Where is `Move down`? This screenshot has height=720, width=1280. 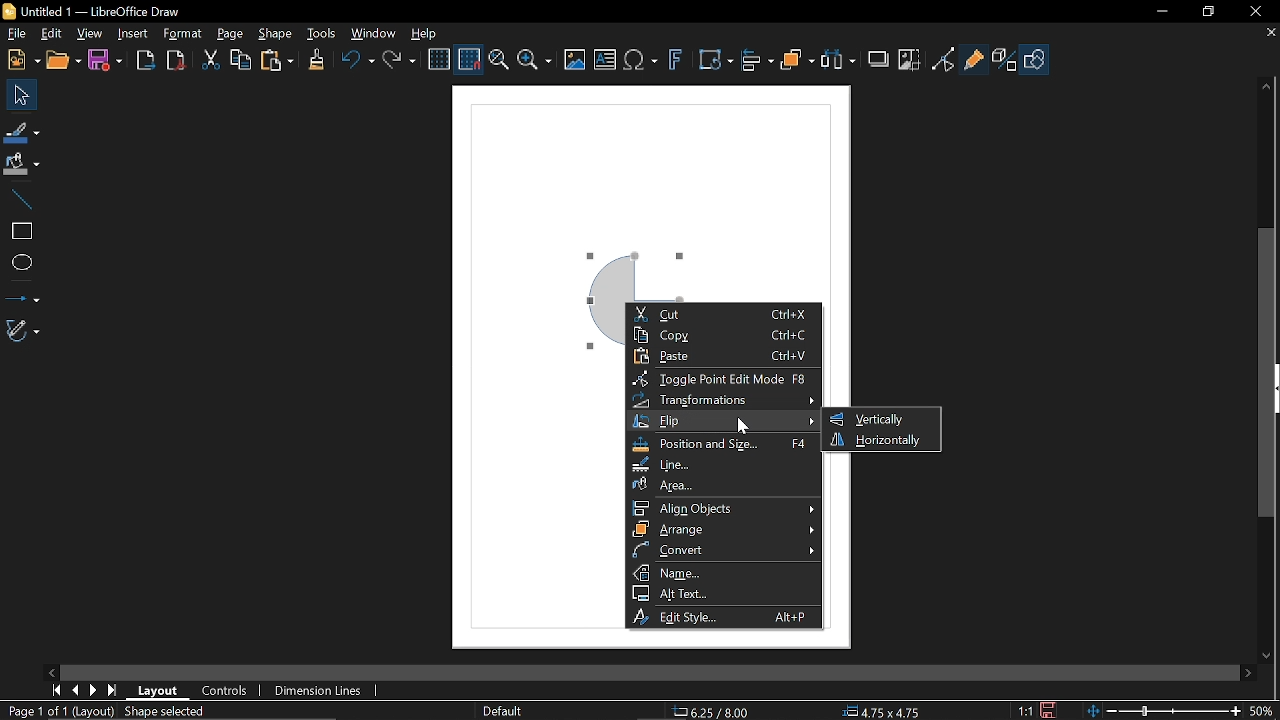 Move down is located at coordinates (1271, 656).